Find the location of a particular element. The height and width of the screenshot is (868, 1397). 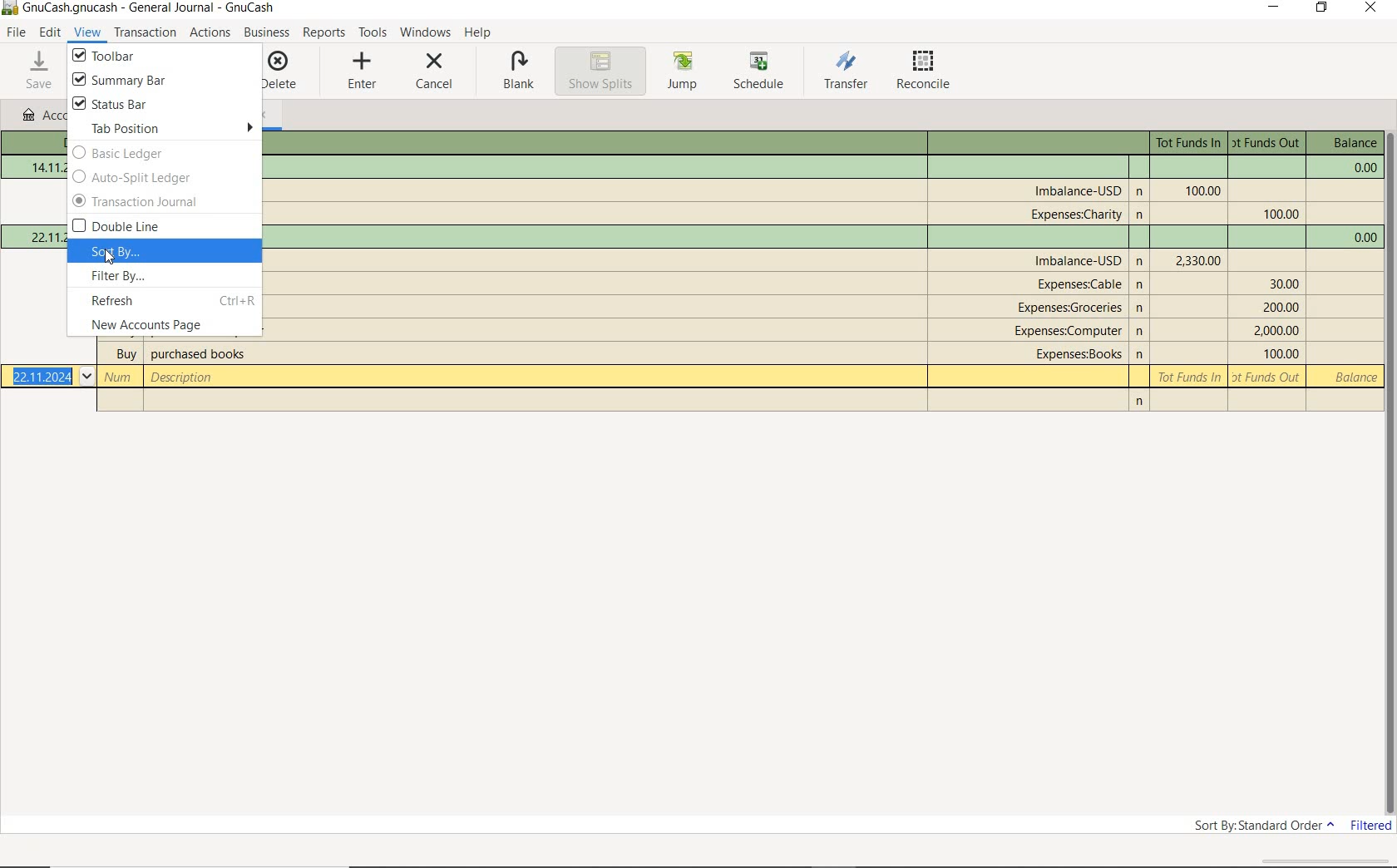

ENTER is located at coordinates (363, 72).